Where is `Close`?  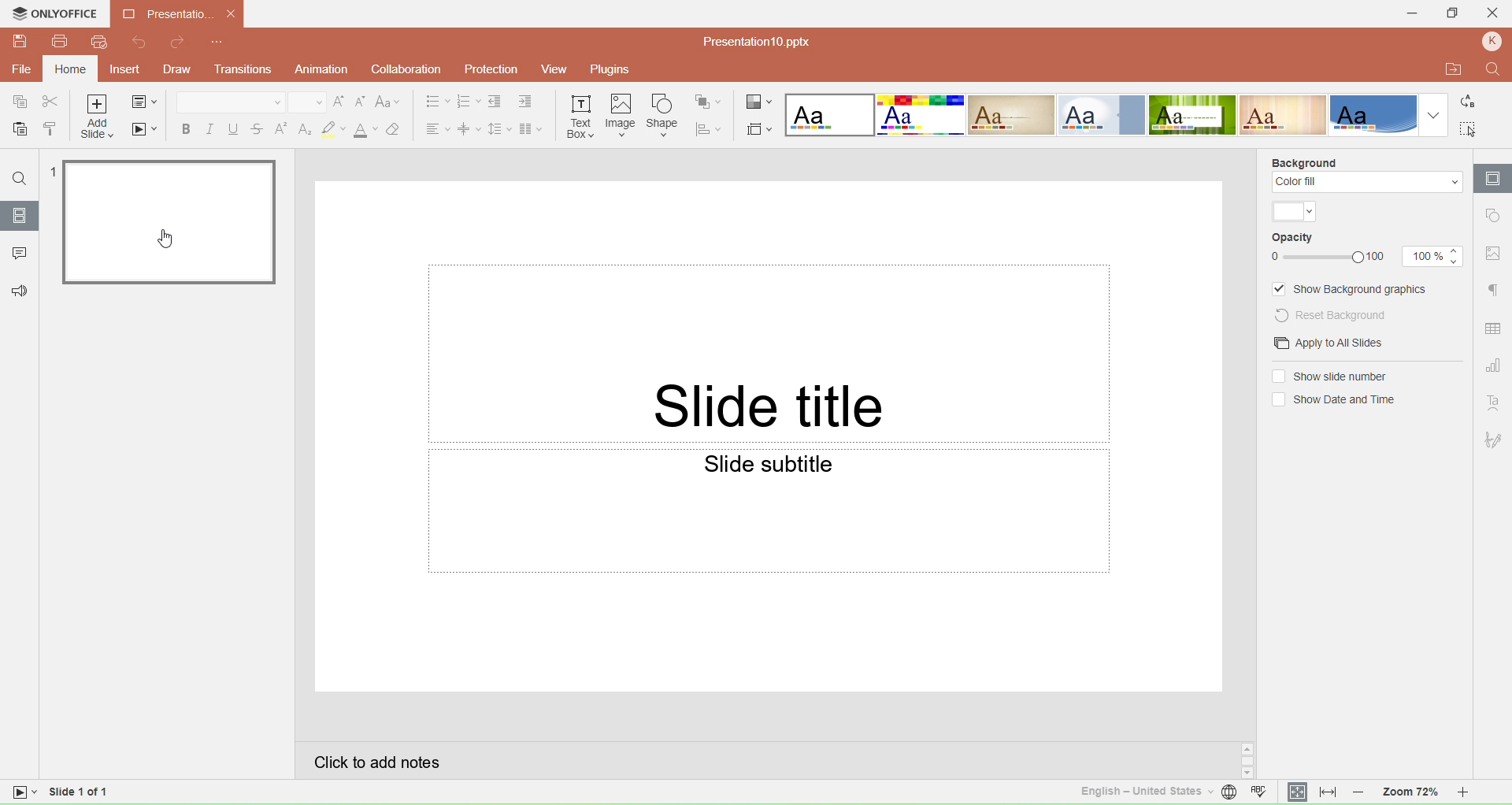 Close is located at coordinates (1495, 15).